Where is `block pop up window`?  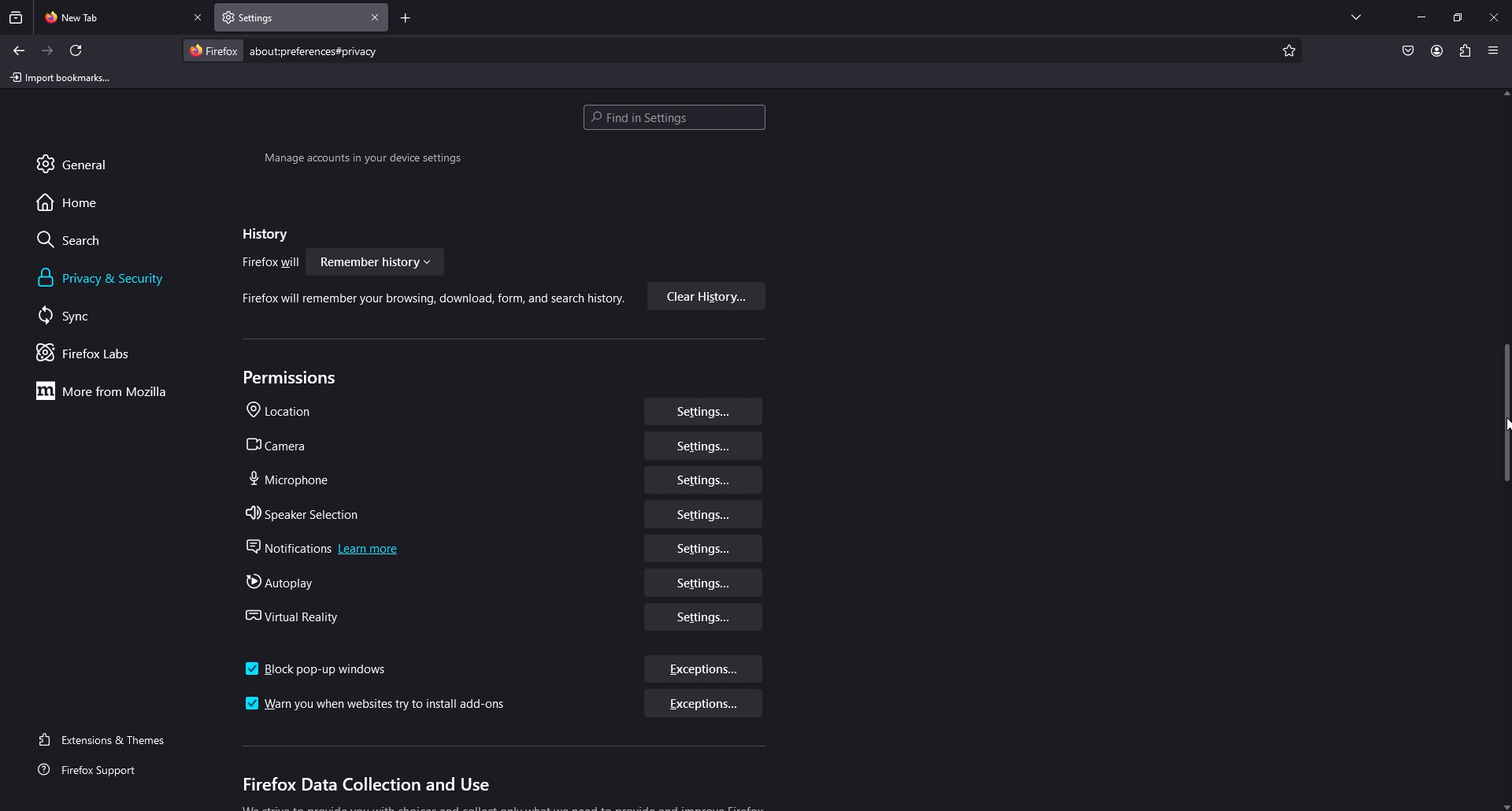
block pop up window is located at coordinates (318, 669).